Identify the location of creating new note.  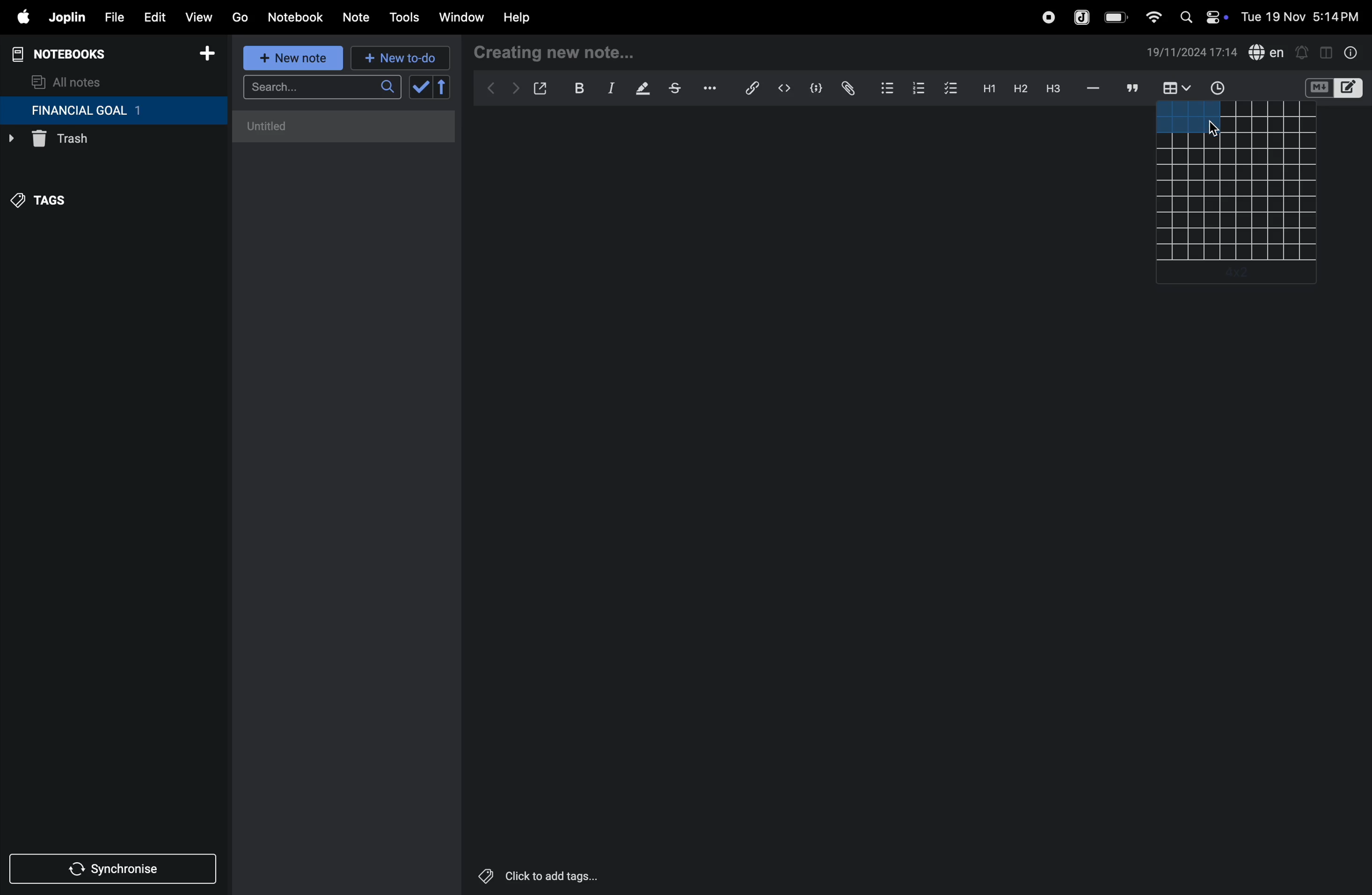
(557, 53).